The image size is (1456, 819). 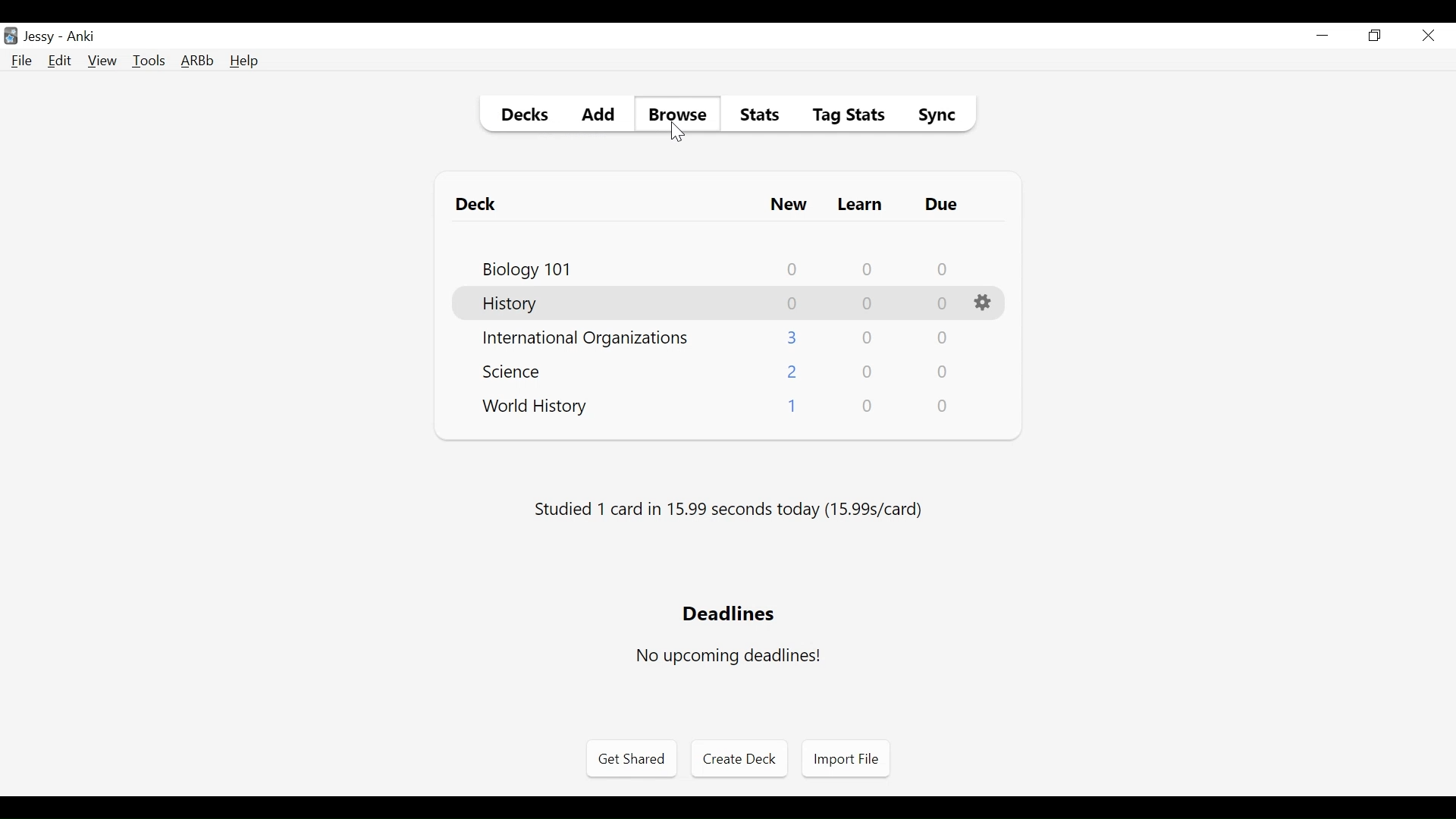 I want to click on Due Card Count, so click(x=943, y=303).